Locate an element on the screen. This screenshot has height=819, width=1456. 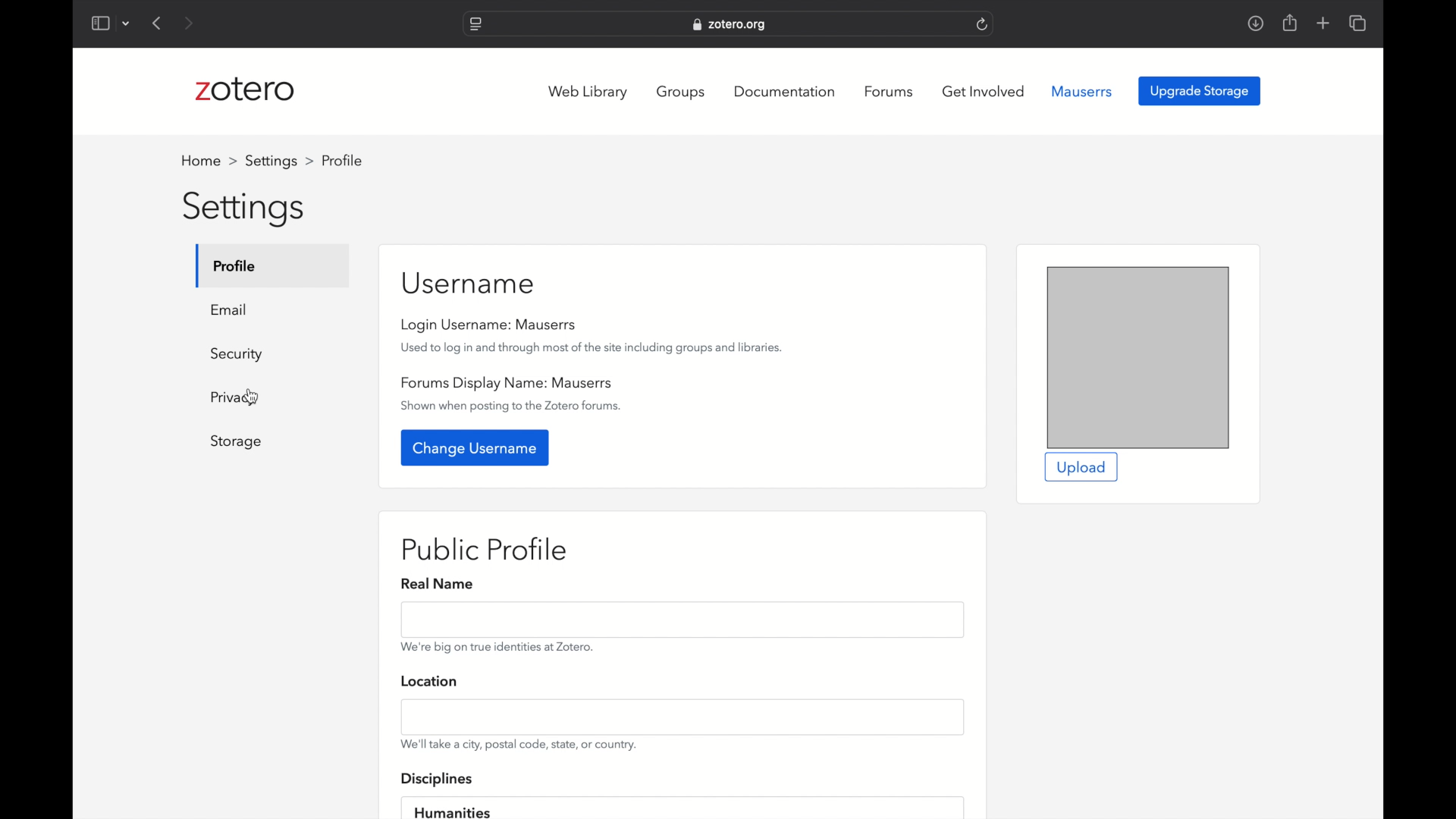
cursor is located at coordinates (252, 398).